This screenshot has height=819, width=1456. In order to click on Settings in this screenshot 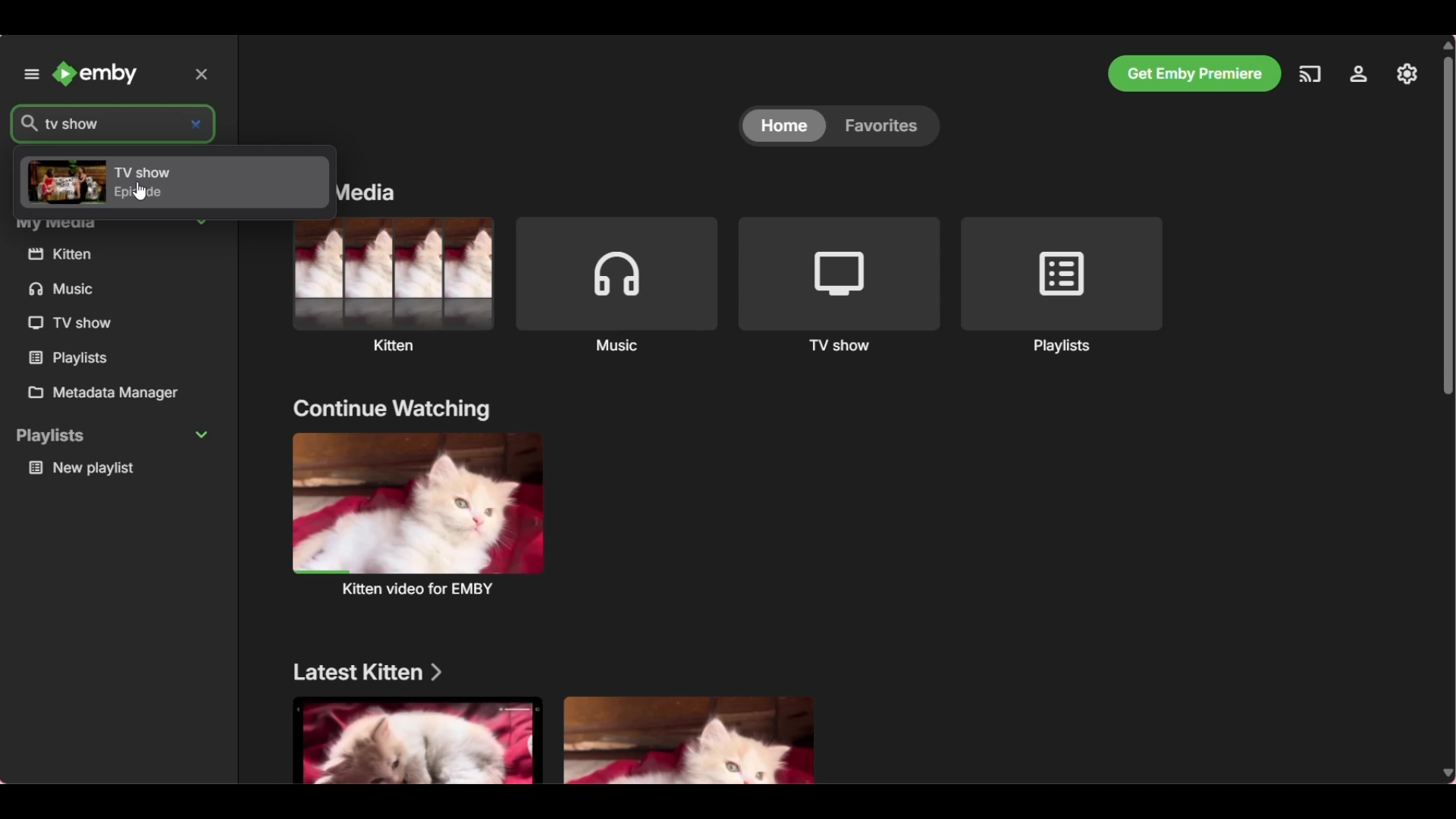, I will do `click(1407, 72)`.